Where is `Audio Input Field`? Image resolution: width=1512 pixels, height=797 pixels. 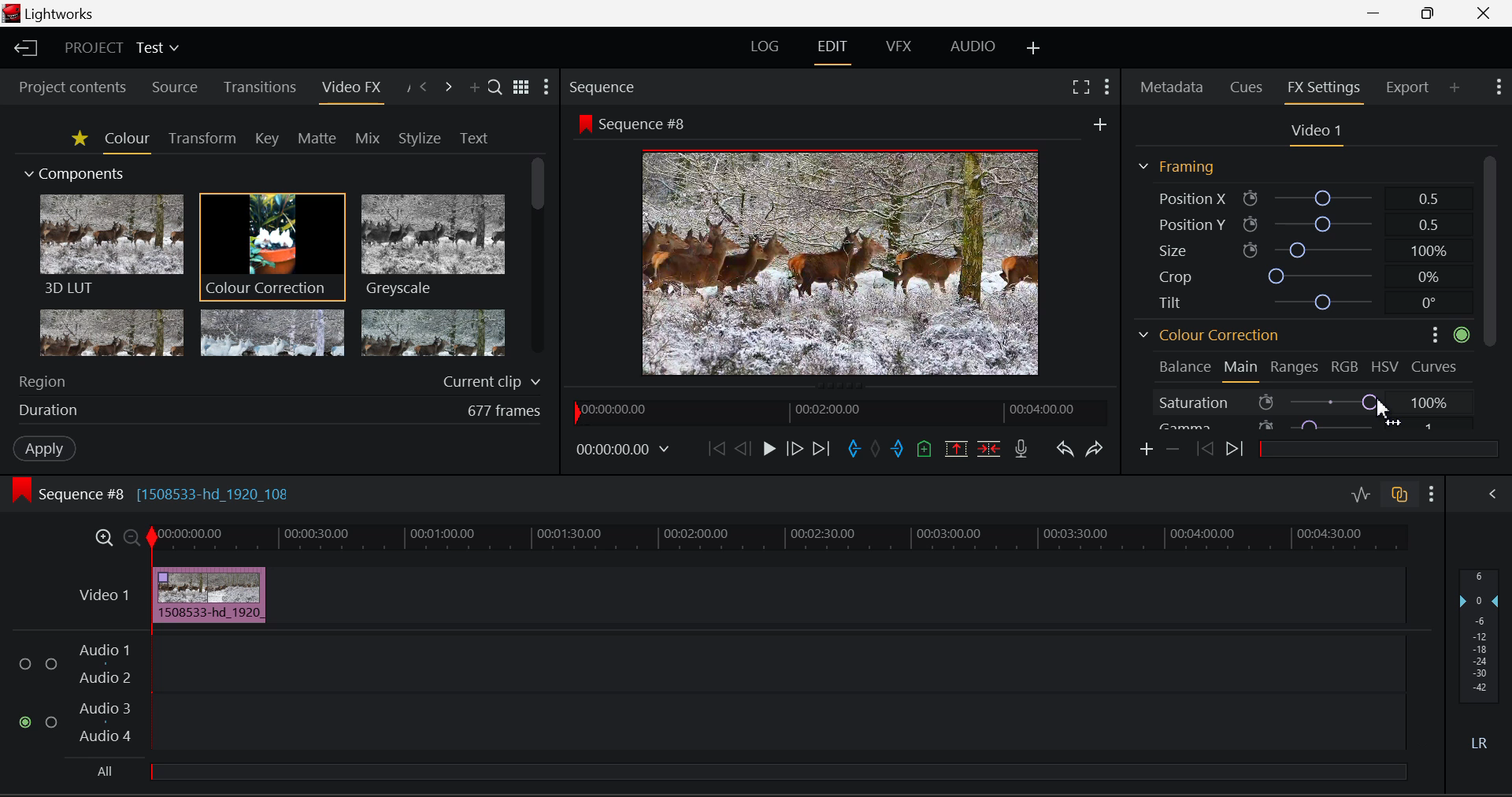
Audio Input Field is located at coordinates (776, 724).